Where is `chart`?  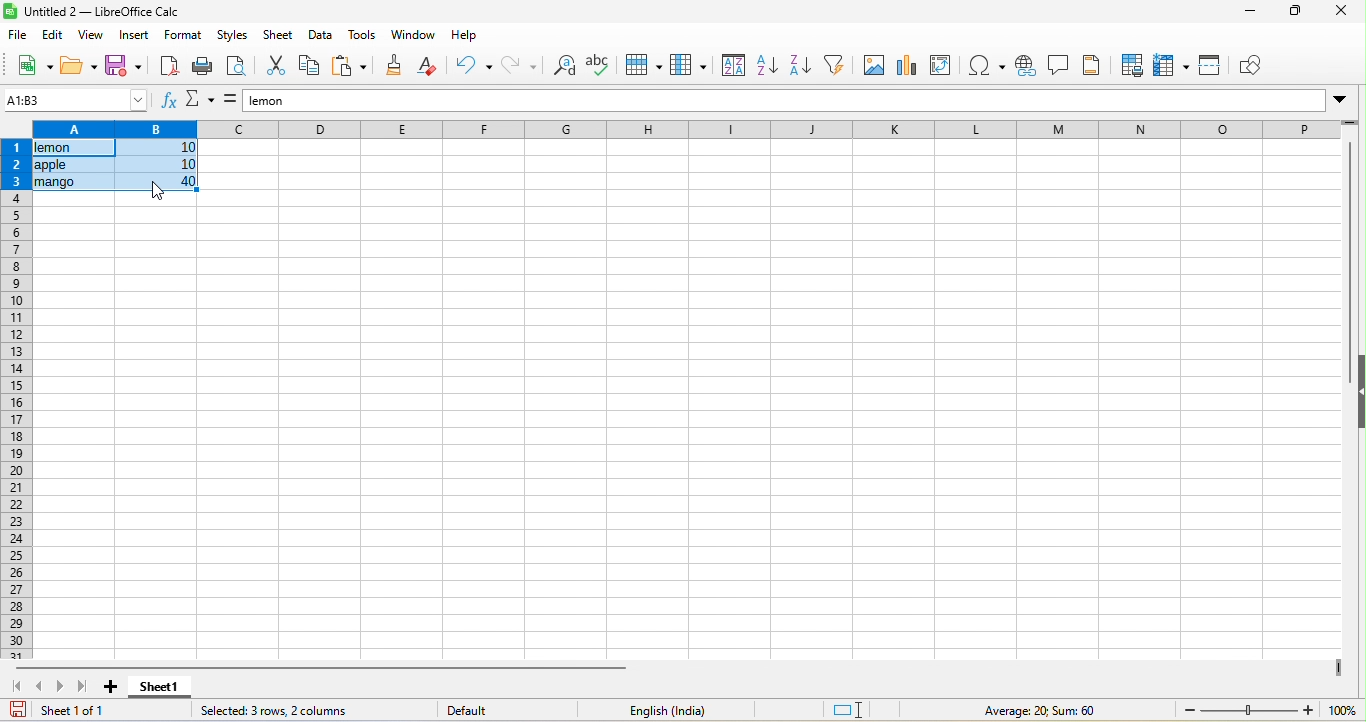 chart is located at coordinates (905, 67).